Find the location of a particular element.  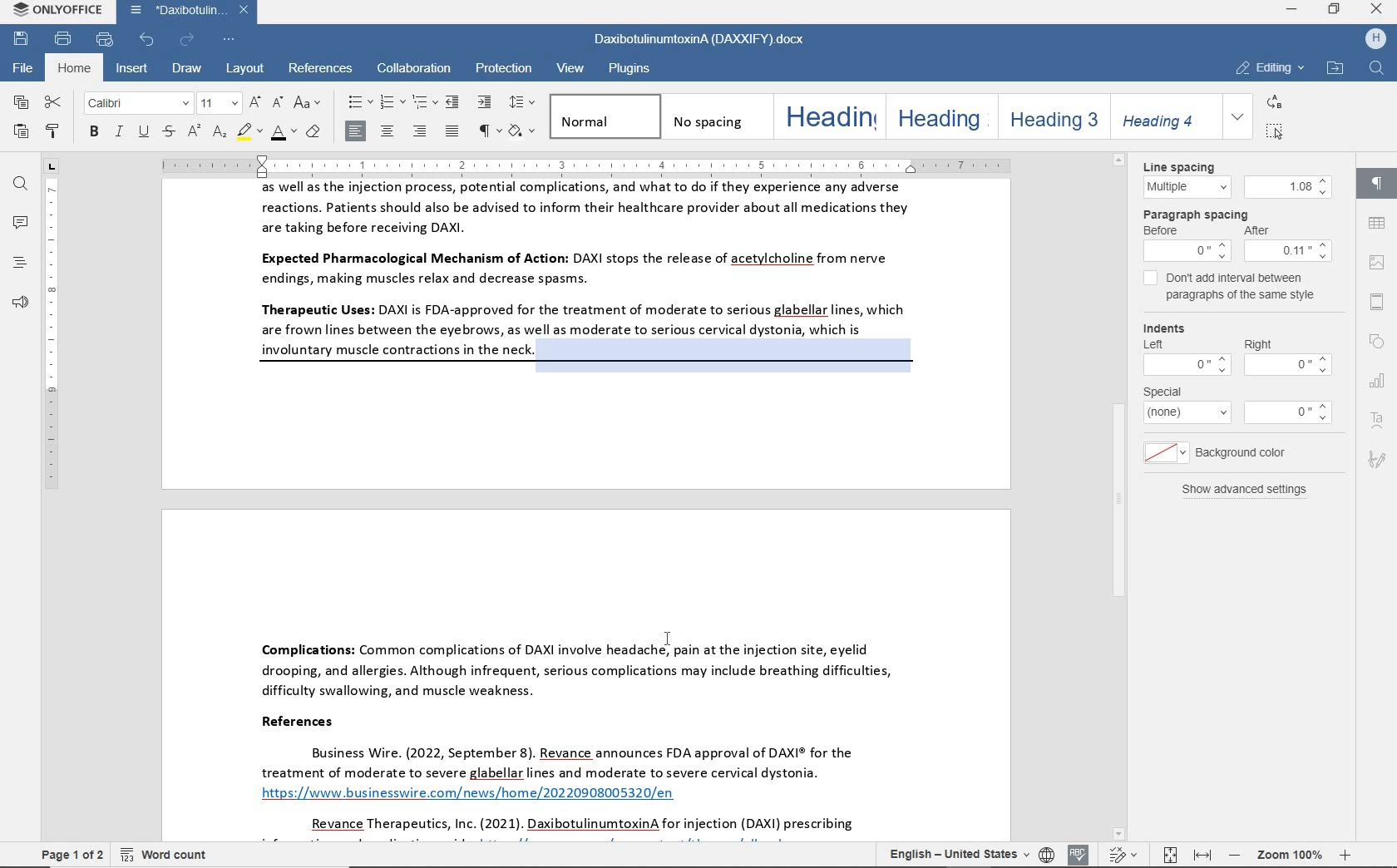

fit to page is located at coordinates (1167, 855).